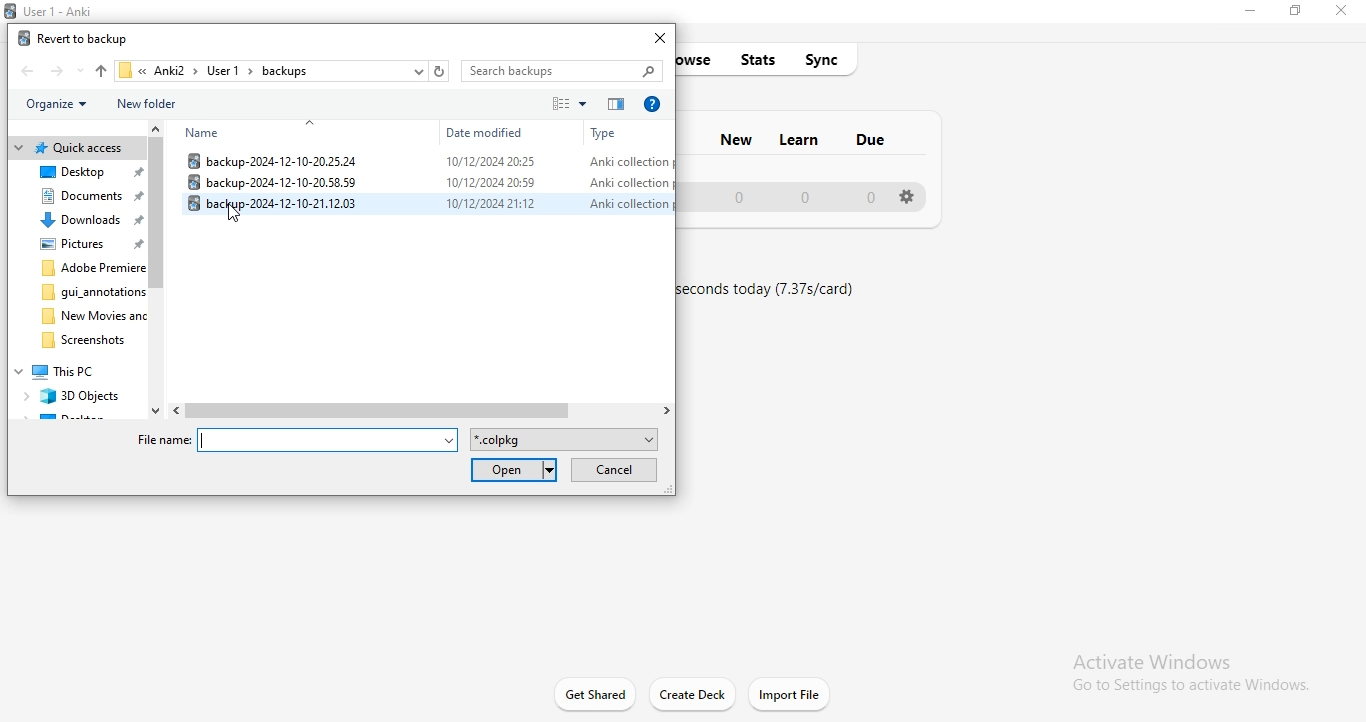  I want to click on new folder, so click(158, 103).